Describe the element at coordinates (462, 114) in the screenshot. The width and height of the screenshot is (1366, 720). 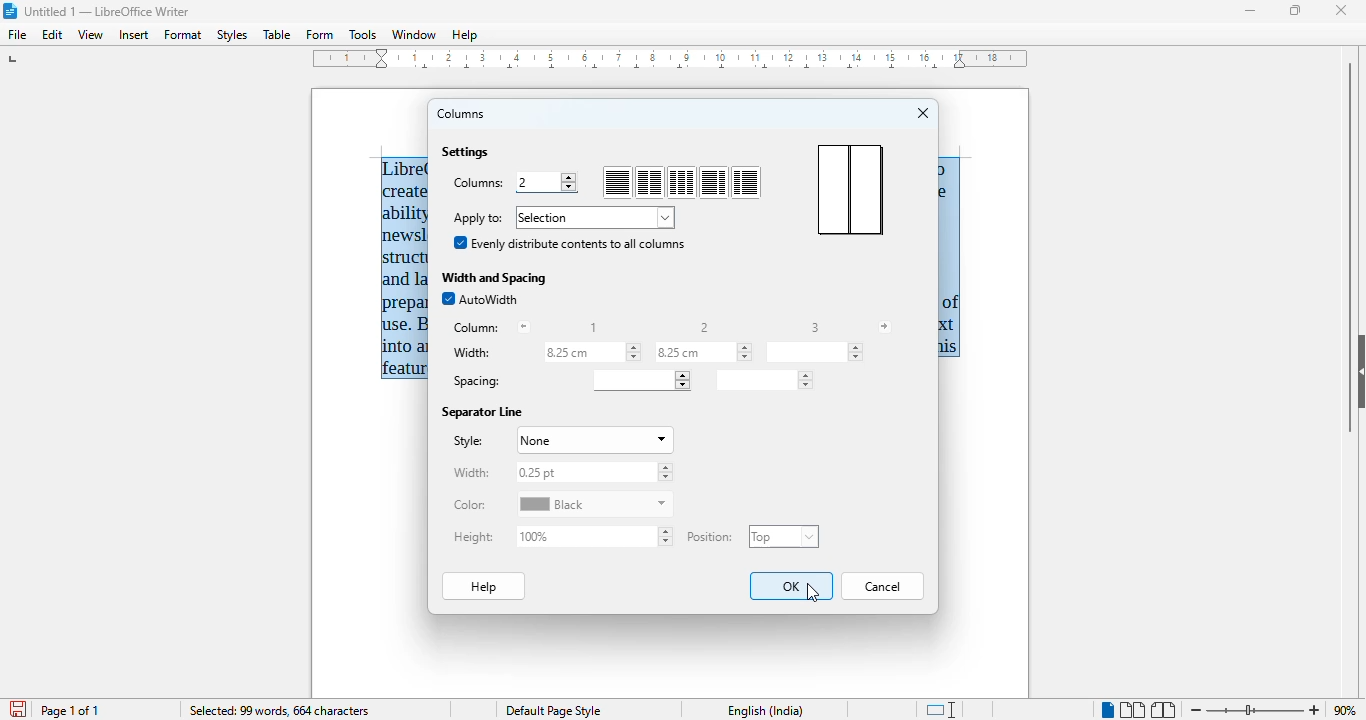
I see `columns` at that location.